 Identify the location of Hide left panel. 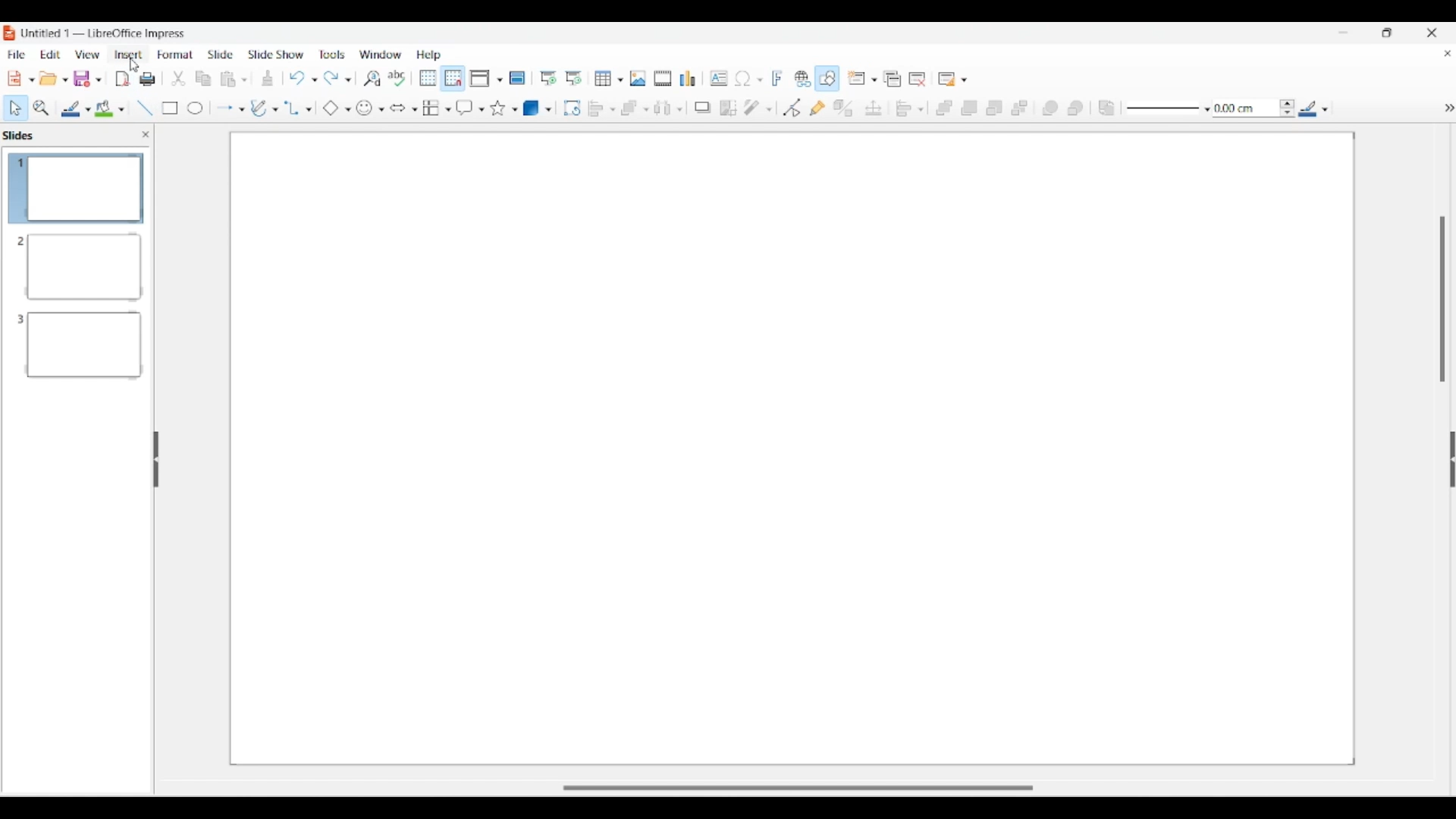
(156, 460).